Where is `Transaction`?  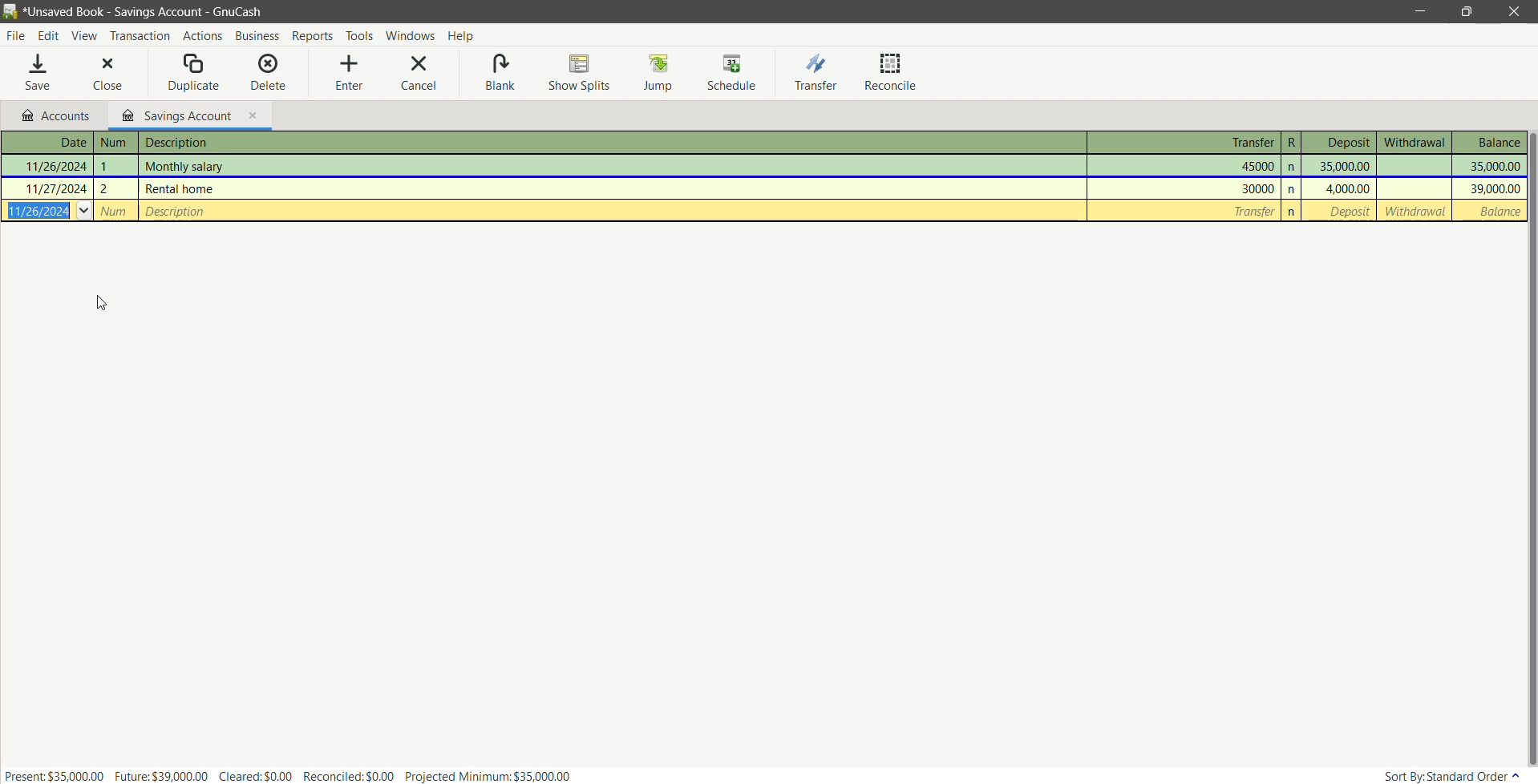
Transaction is located at coordinates (140, 34).